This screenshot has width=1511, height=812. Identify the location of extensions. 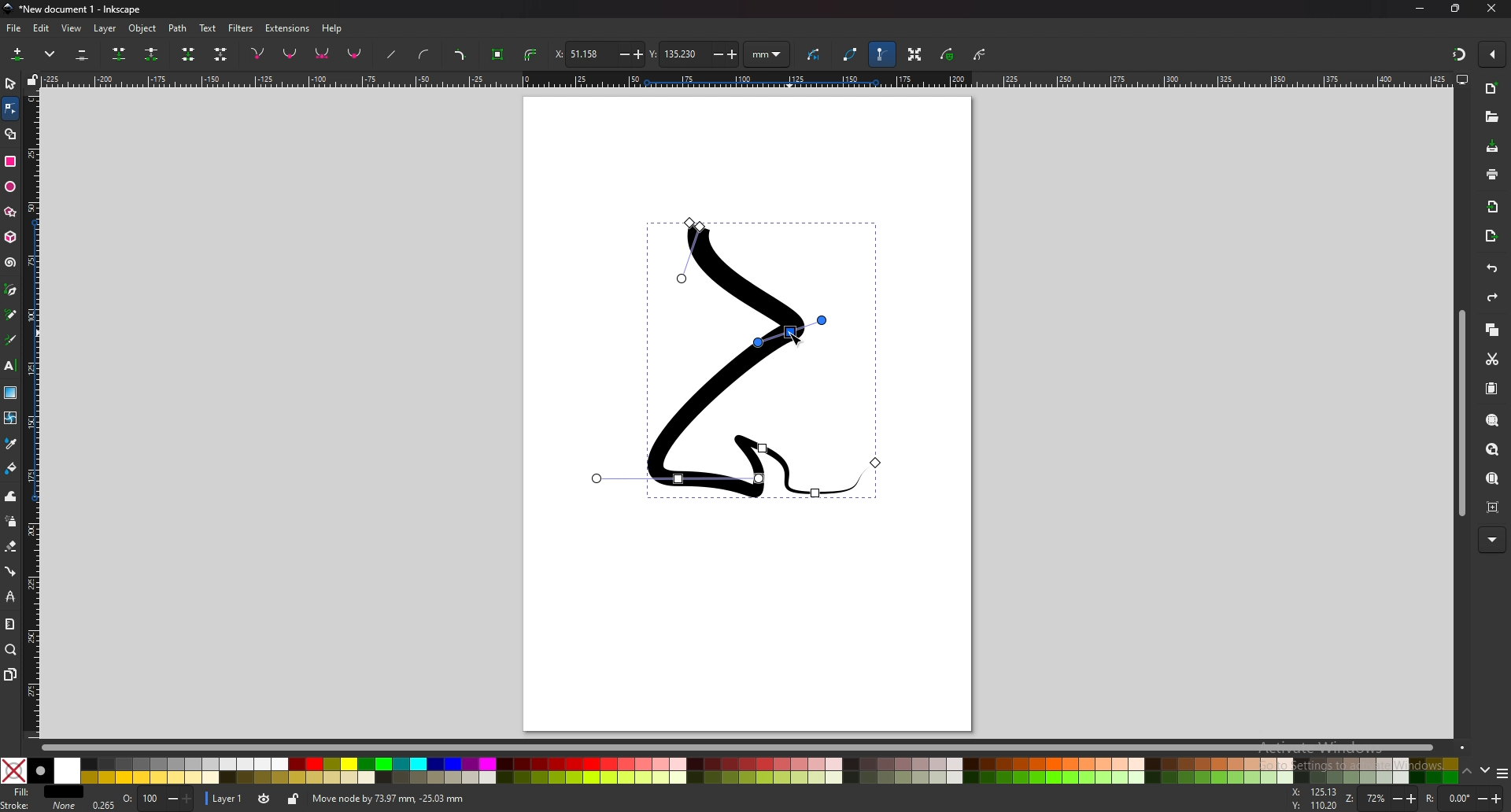
(288, 27).